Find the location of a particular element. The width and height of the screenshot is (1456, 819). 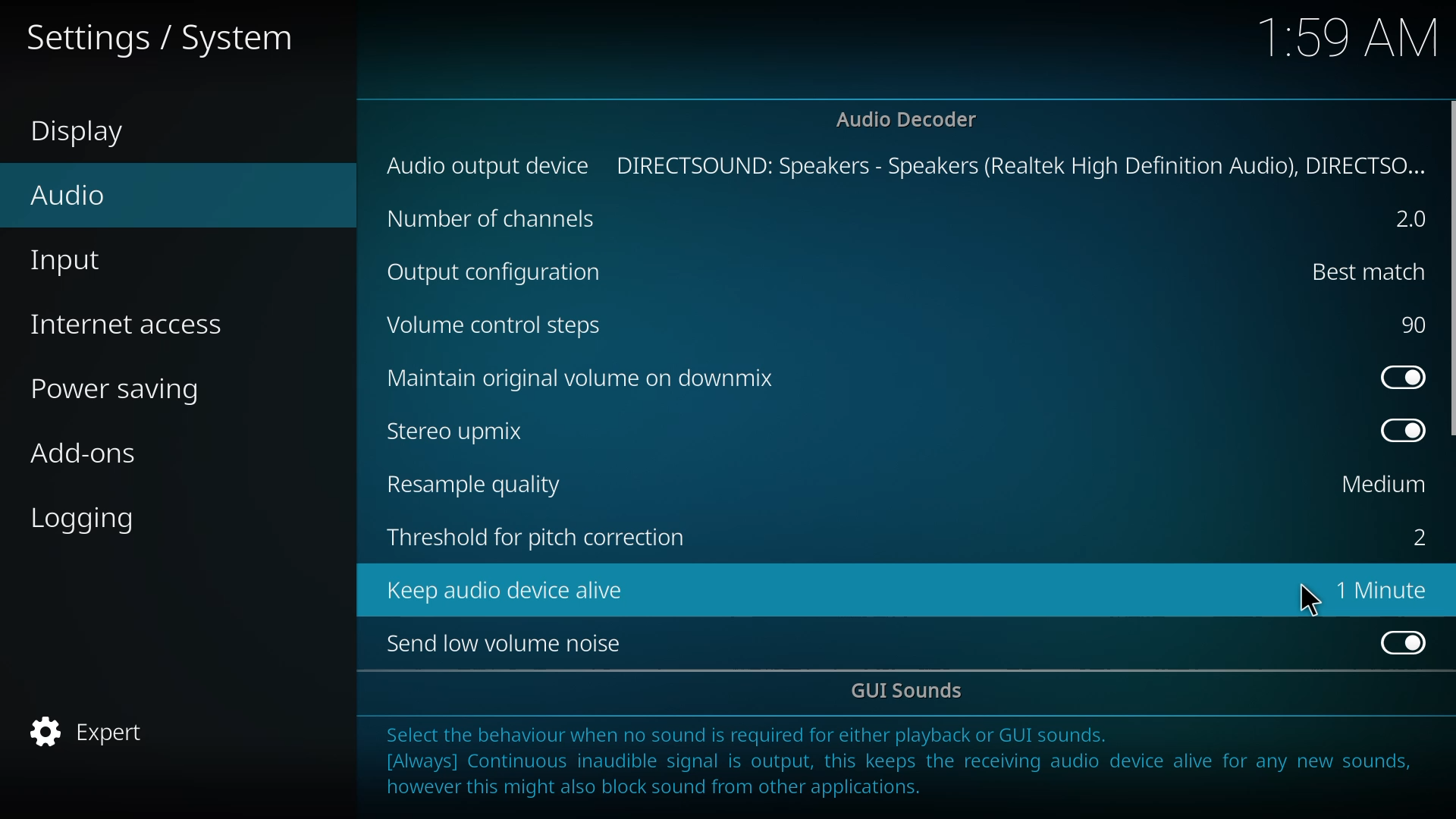

gui sounds is located at coordinates (912, 692).